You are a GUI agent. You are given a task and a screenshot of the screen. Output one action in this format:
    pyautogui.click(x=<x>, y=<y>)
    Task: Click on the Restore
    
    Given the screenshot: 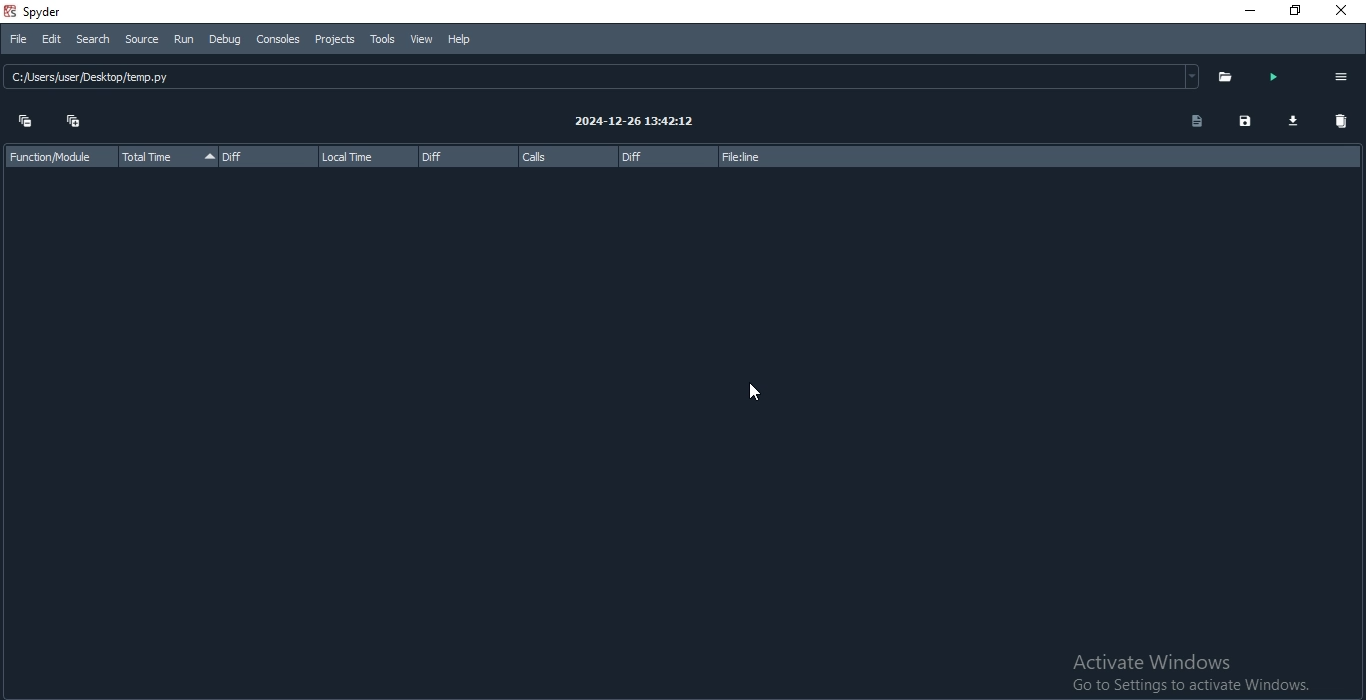 What is the action you would take?
    pyautogui.click(x=1288, y=10)
    